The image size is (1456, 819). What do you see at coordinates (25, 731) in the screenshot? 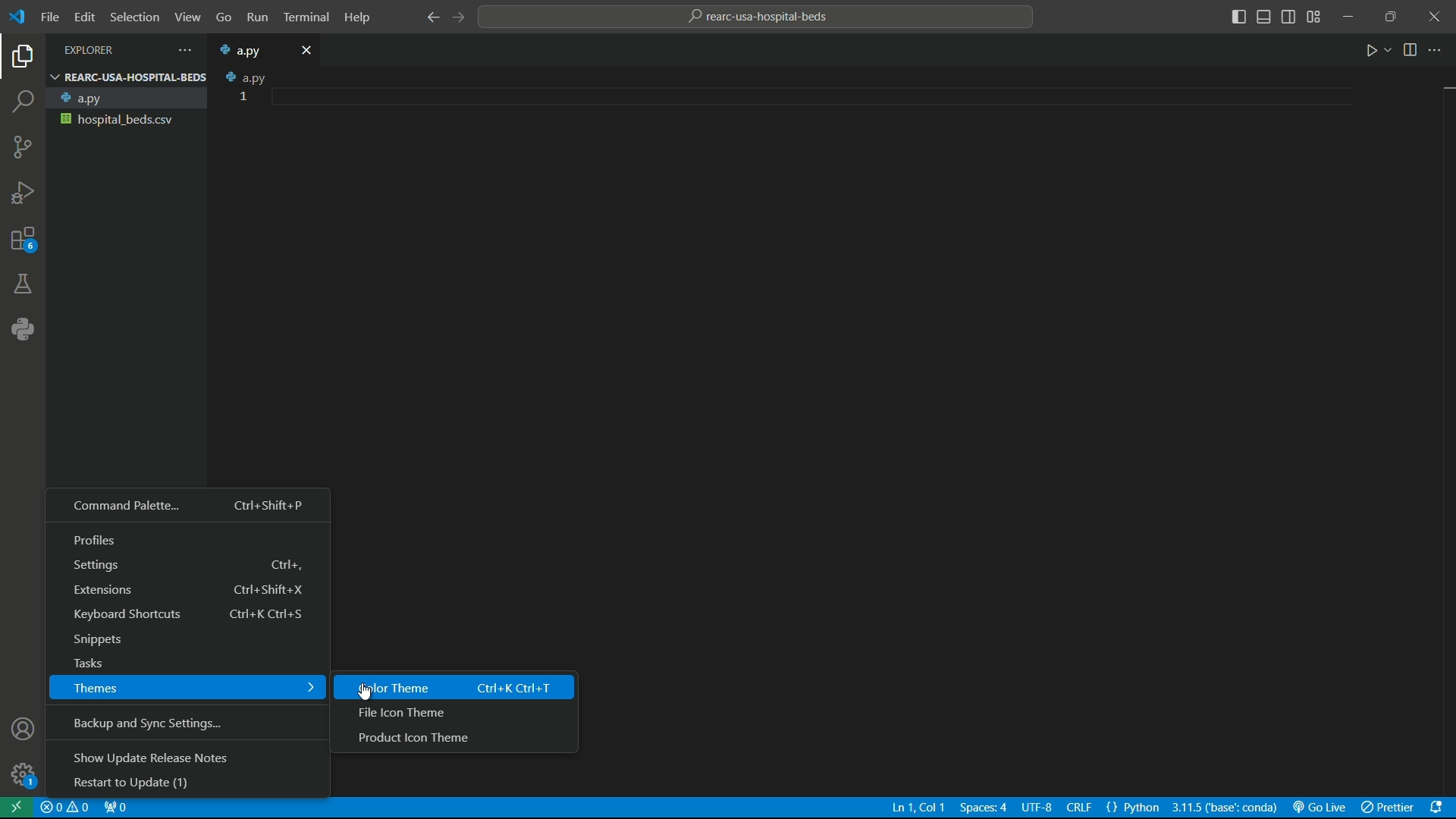
I see `account` at bounding box center [25, 731].